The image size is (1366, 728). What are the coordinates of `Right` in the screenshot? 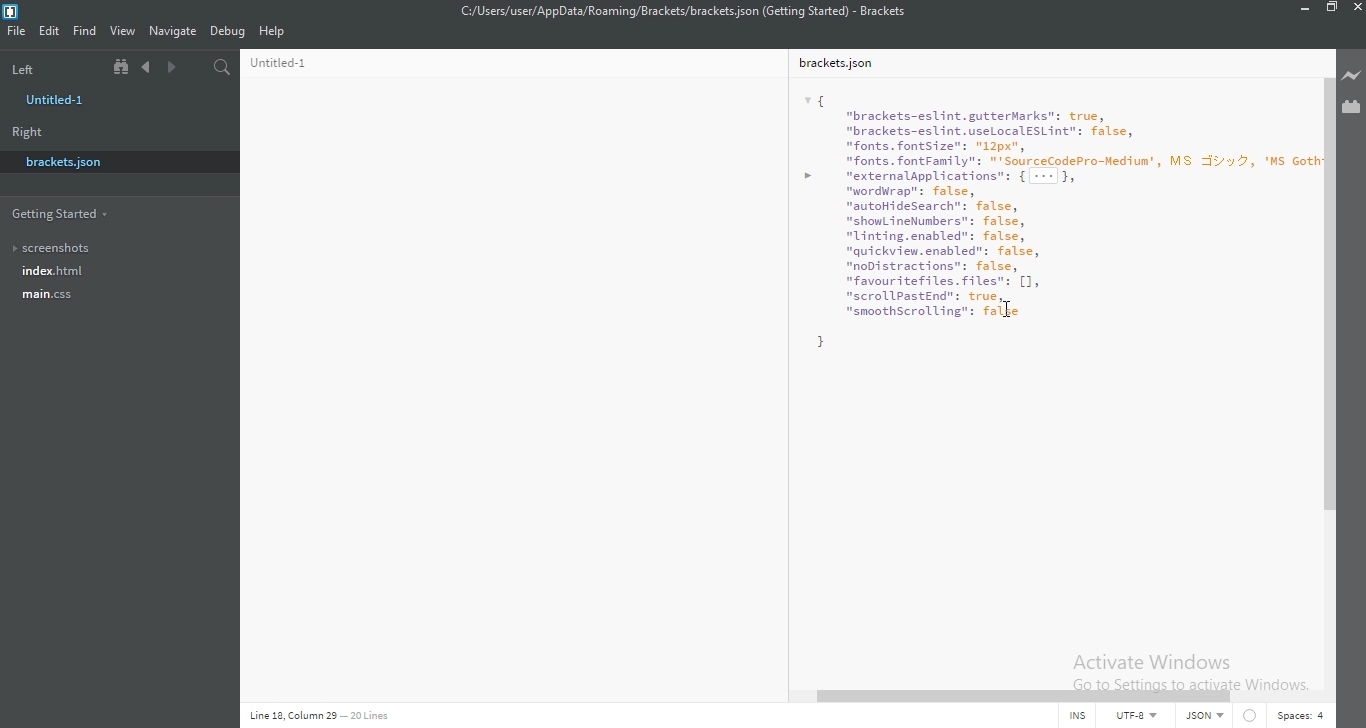 It's located at (26, 132).